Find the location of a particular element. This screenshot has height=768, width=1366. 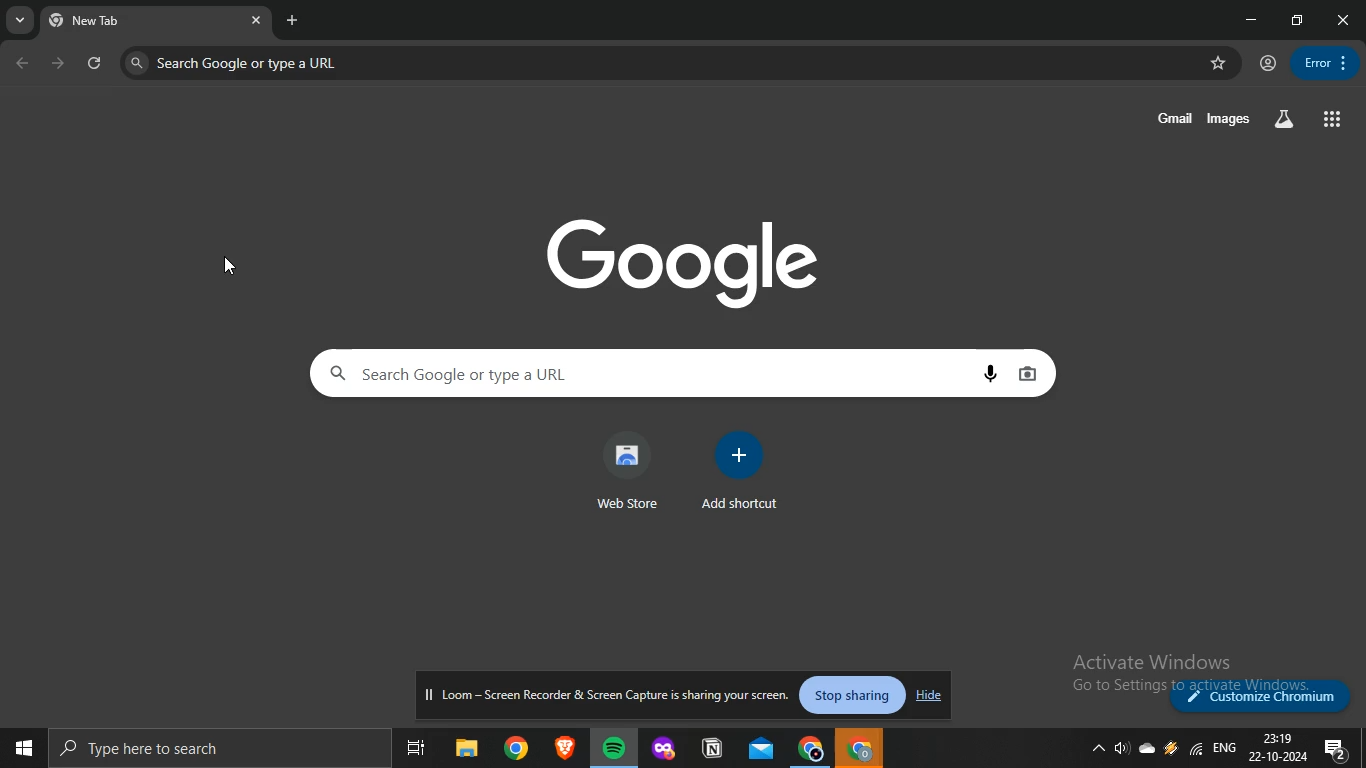

google apps is located at coordinates (1334, 121).